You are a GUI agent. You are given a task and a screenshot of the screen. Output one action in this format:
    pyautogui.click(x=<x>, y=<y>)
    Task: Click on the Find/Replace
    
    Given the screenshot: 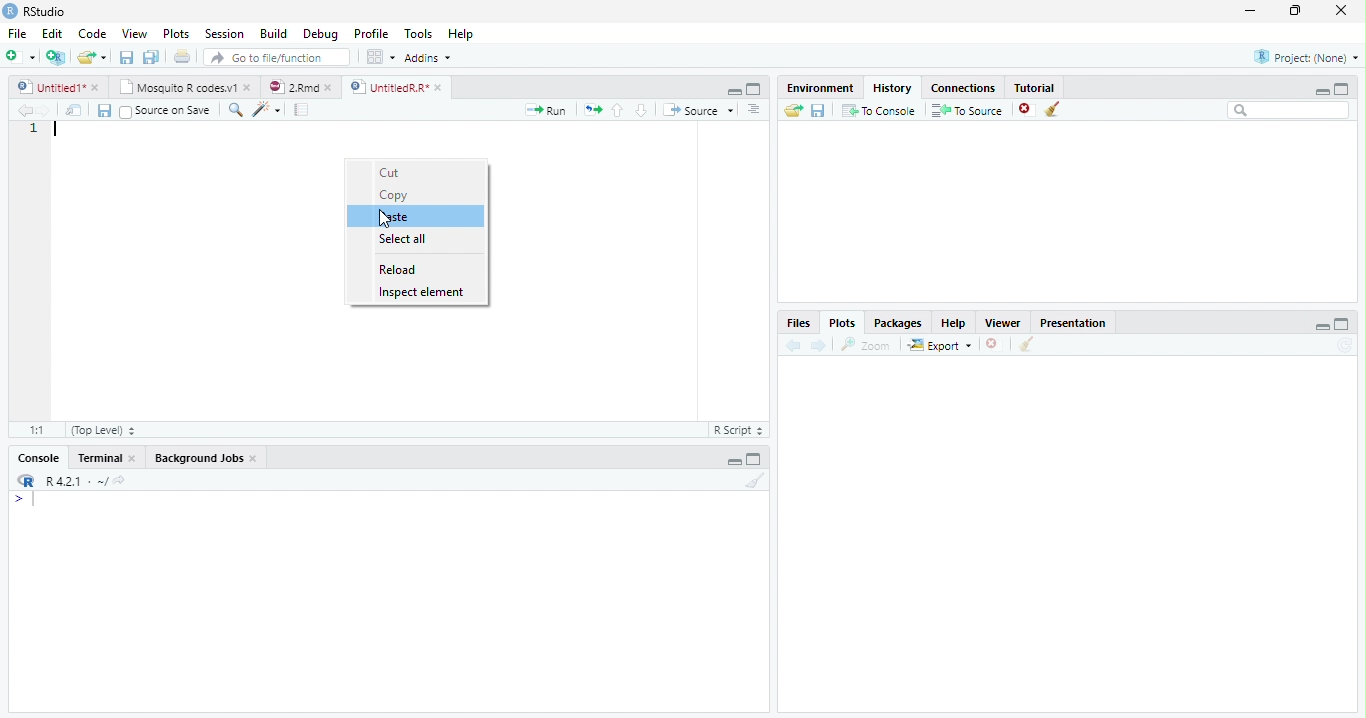 What is the action you would take?
    pyautogui.click(x=233, y=110)
    